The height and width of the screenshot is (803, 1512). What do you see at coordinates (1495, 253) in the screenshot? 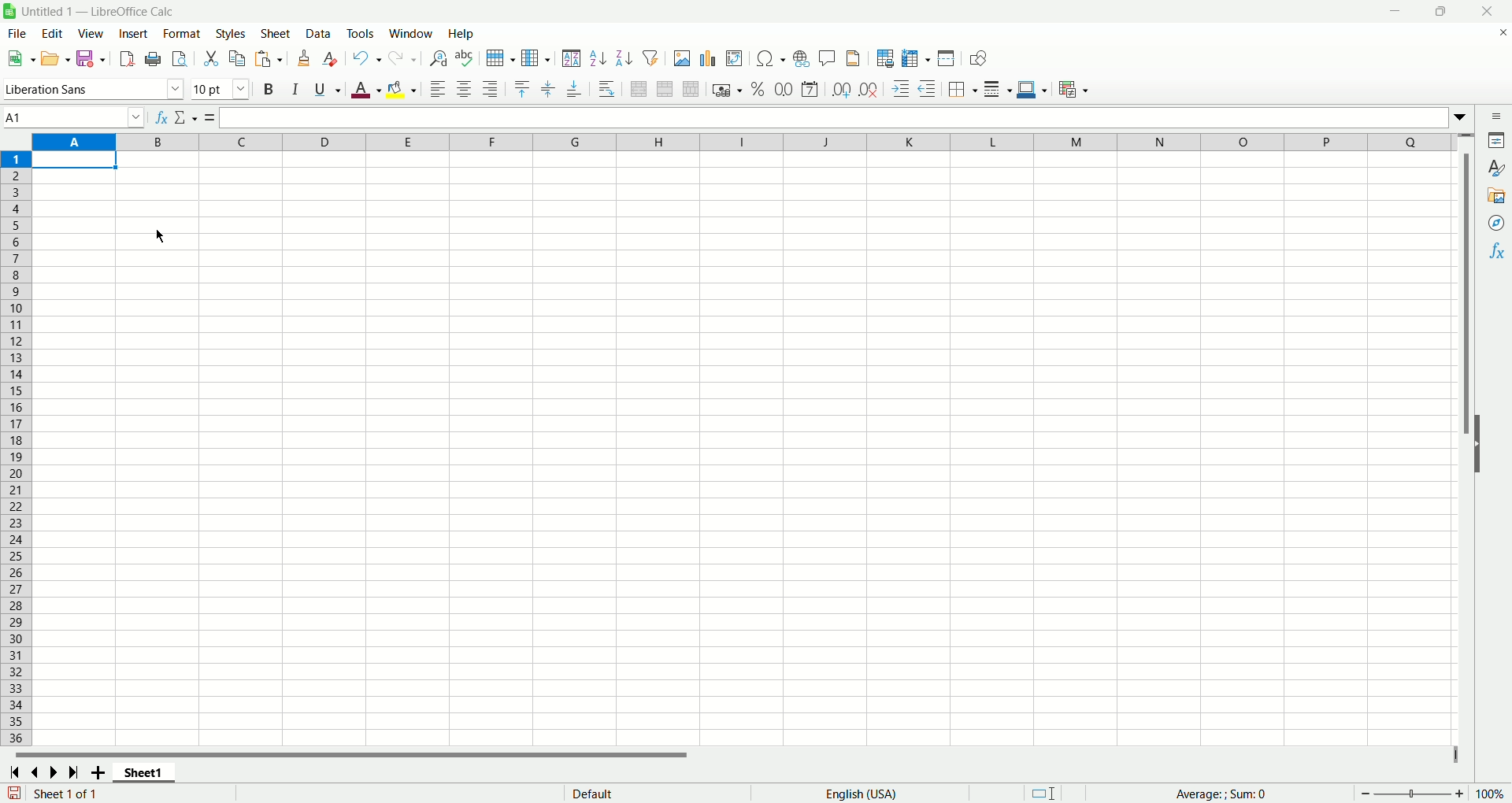
I see `function` at bounding box center [1495, 253].